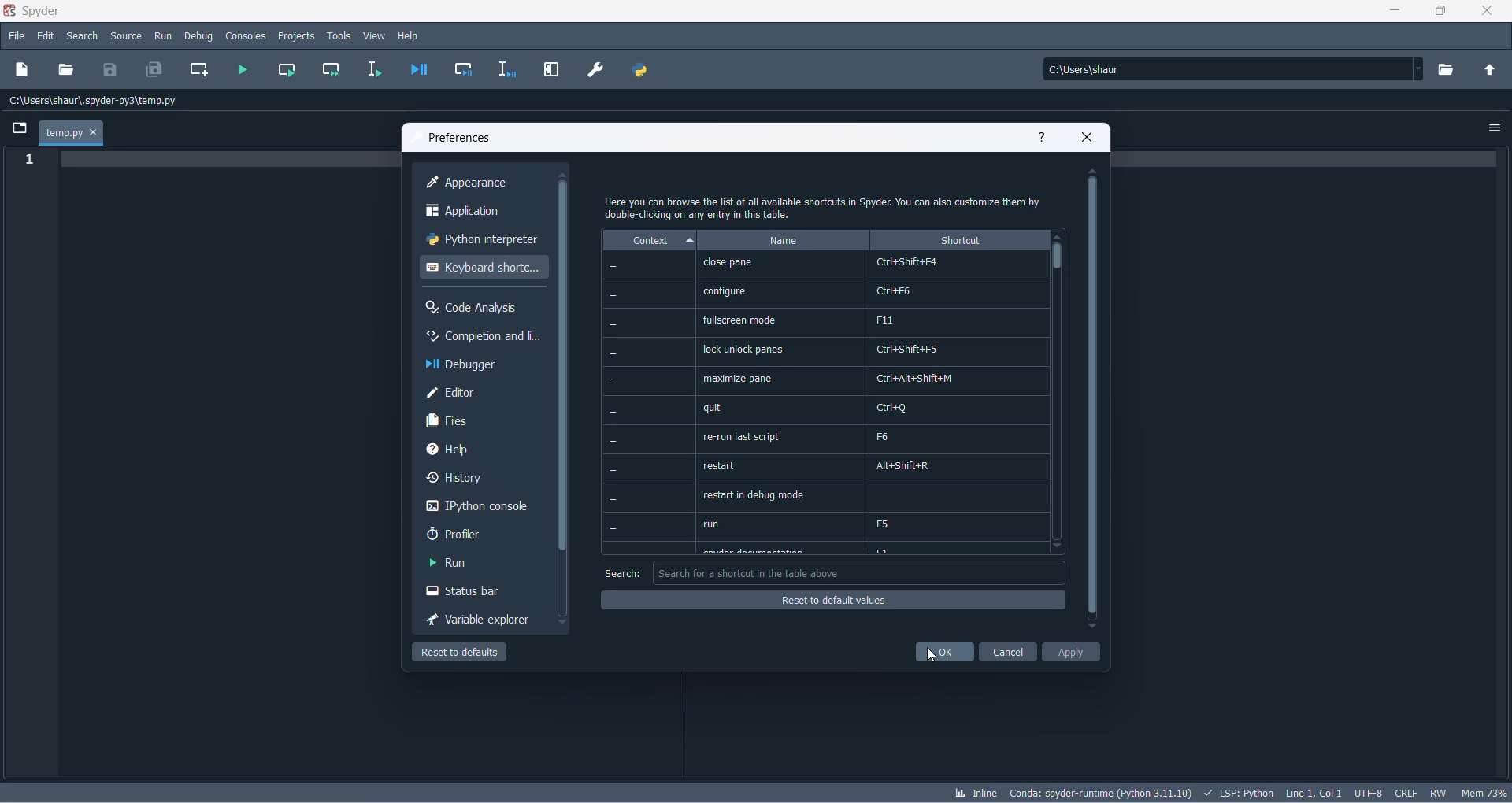 The height and width of the screenshot is (803, 1512). I want to click on debug cell, so click(465, 70).